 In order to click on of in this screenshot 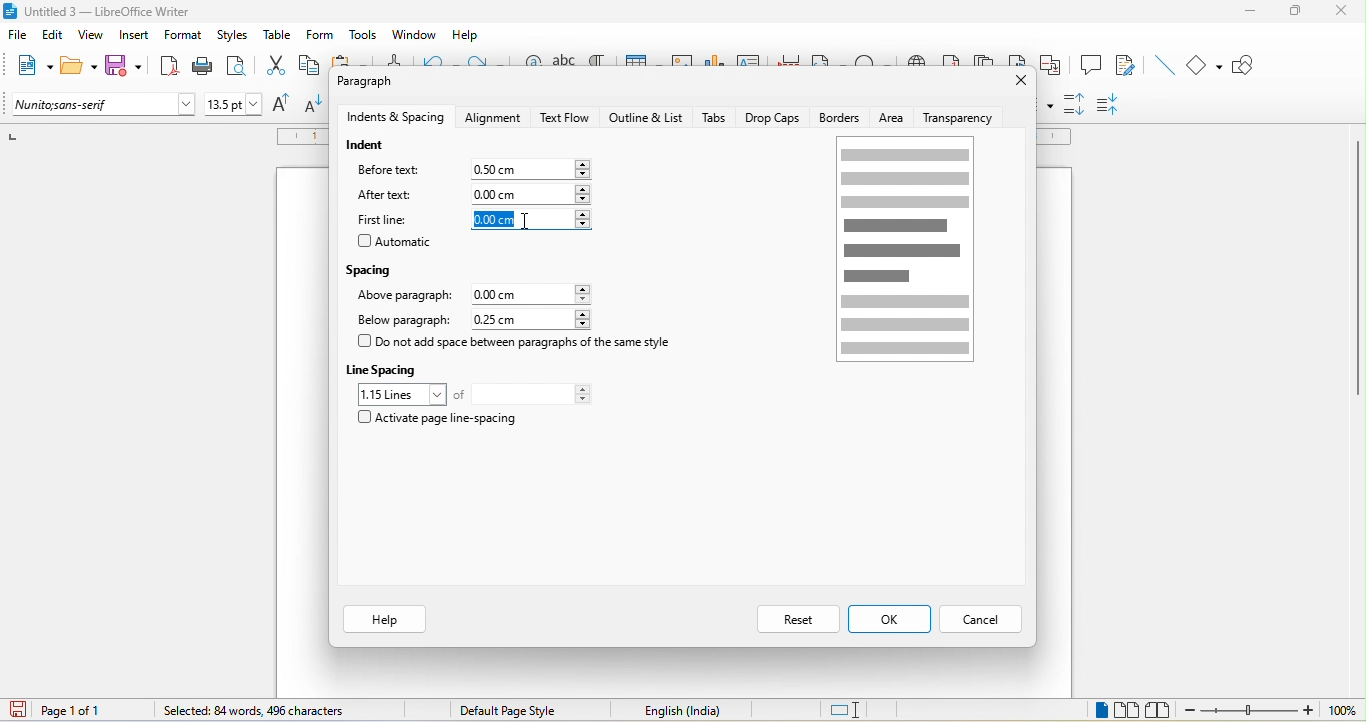, I will do `click(459, 394)`.